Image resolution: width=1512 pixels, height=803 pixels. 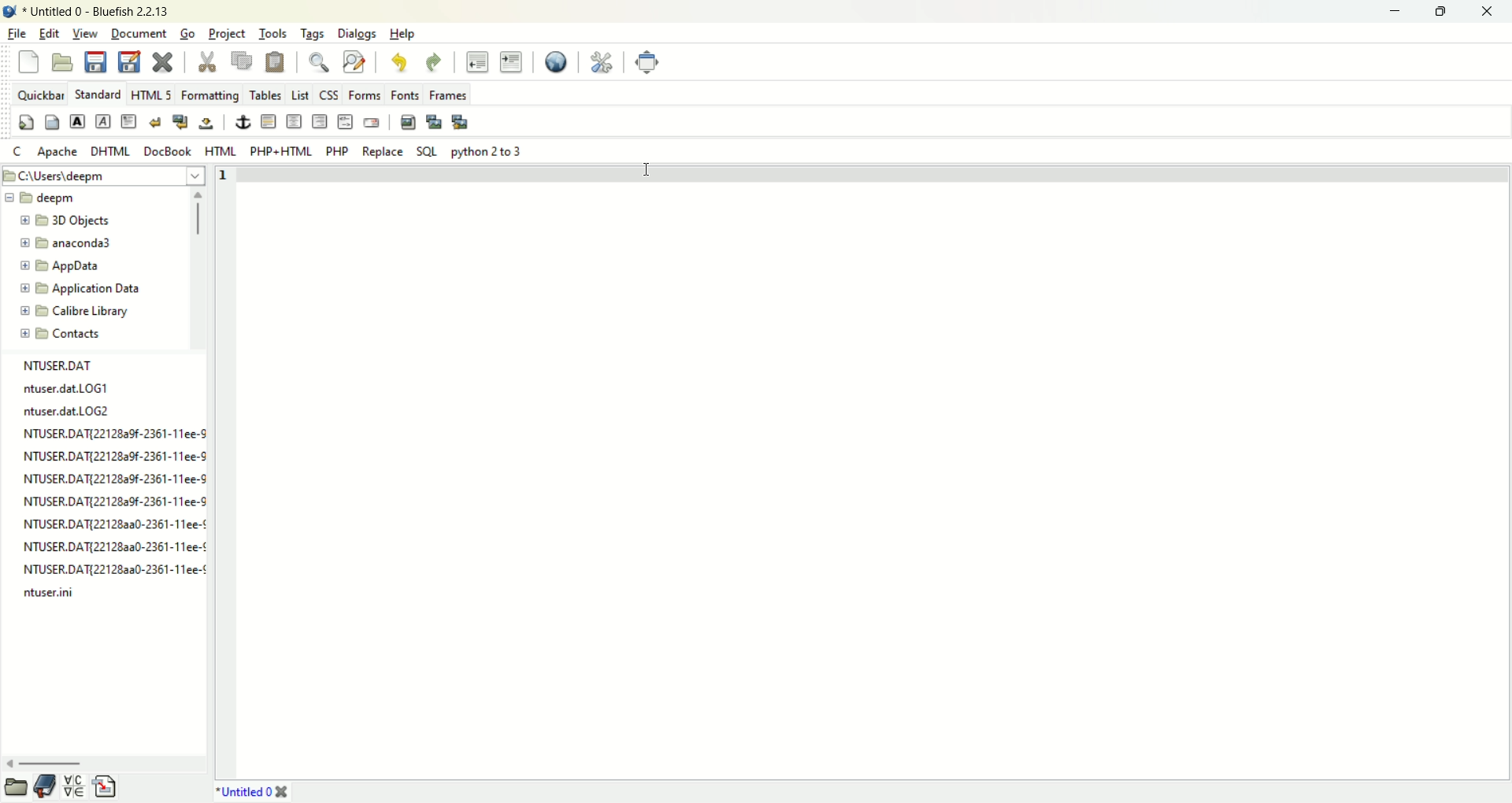 What do you see at coordinates (601, 63) in the screenshot?
I see `preferences` at bounding box center [601, 63].